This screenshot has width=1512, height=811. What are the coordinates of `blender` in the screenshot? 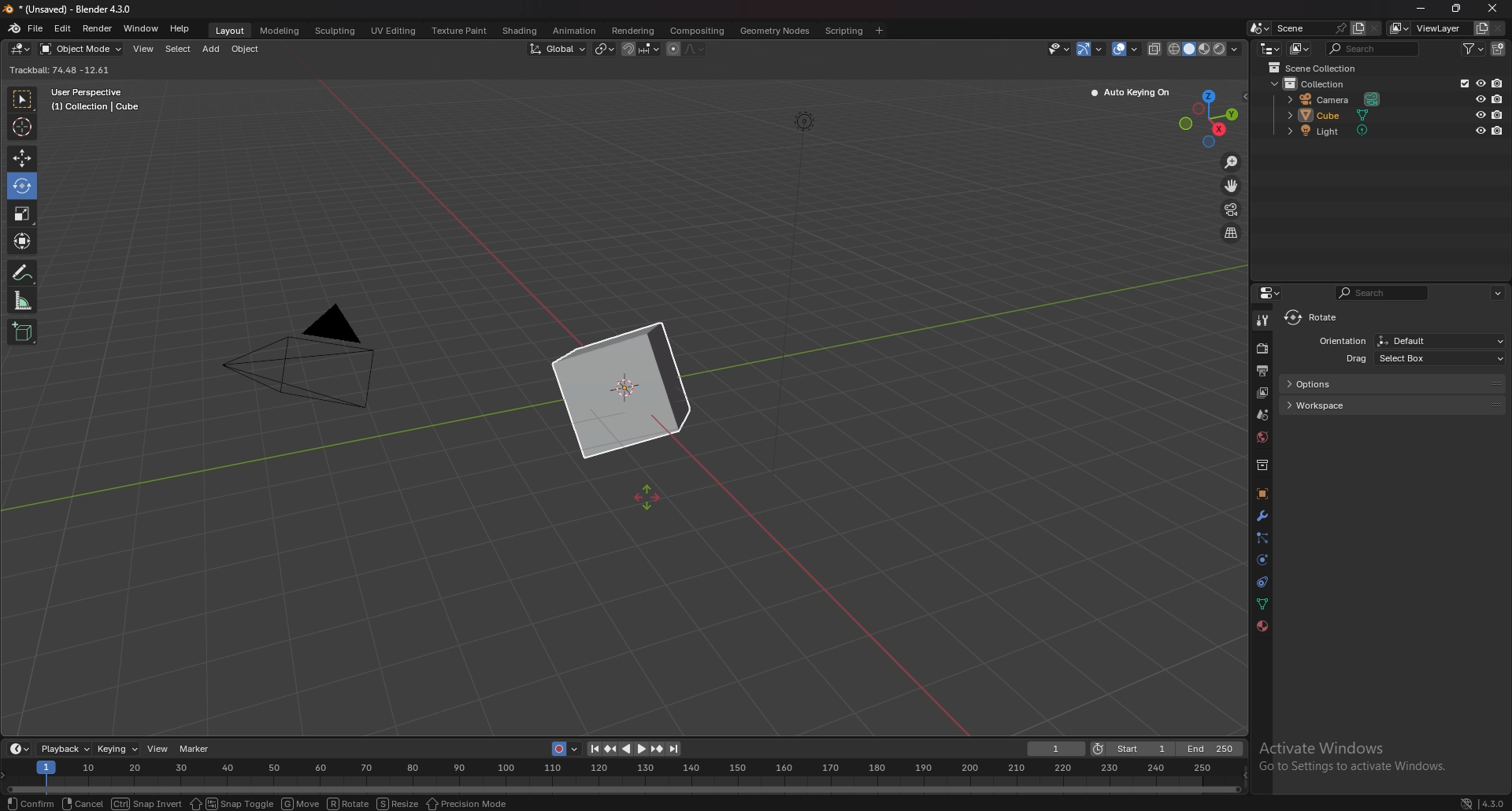 It's located at (14, 28).